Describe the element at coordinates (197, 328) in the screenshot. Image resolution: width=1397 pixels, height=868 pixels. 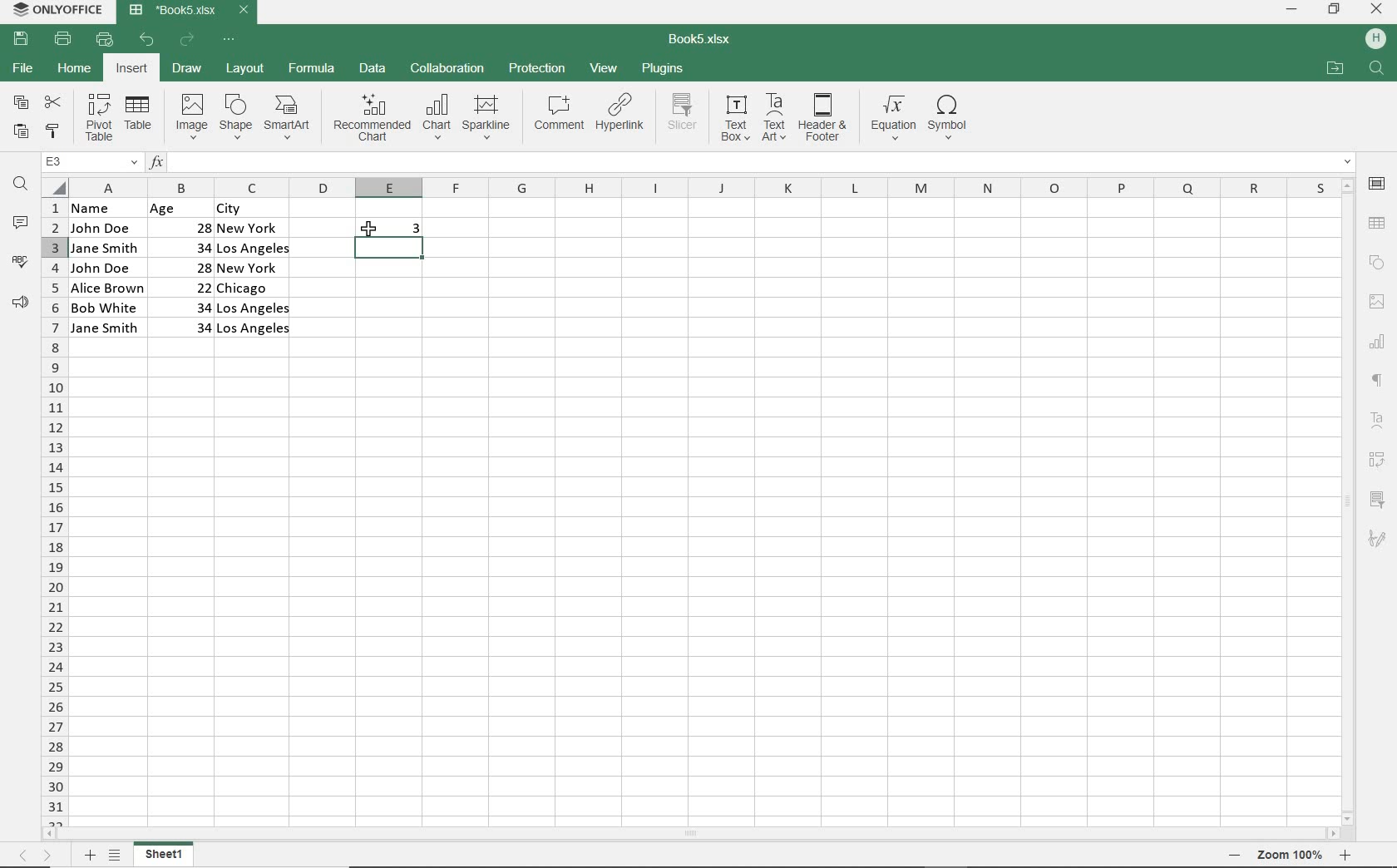
I see `34` at that location.